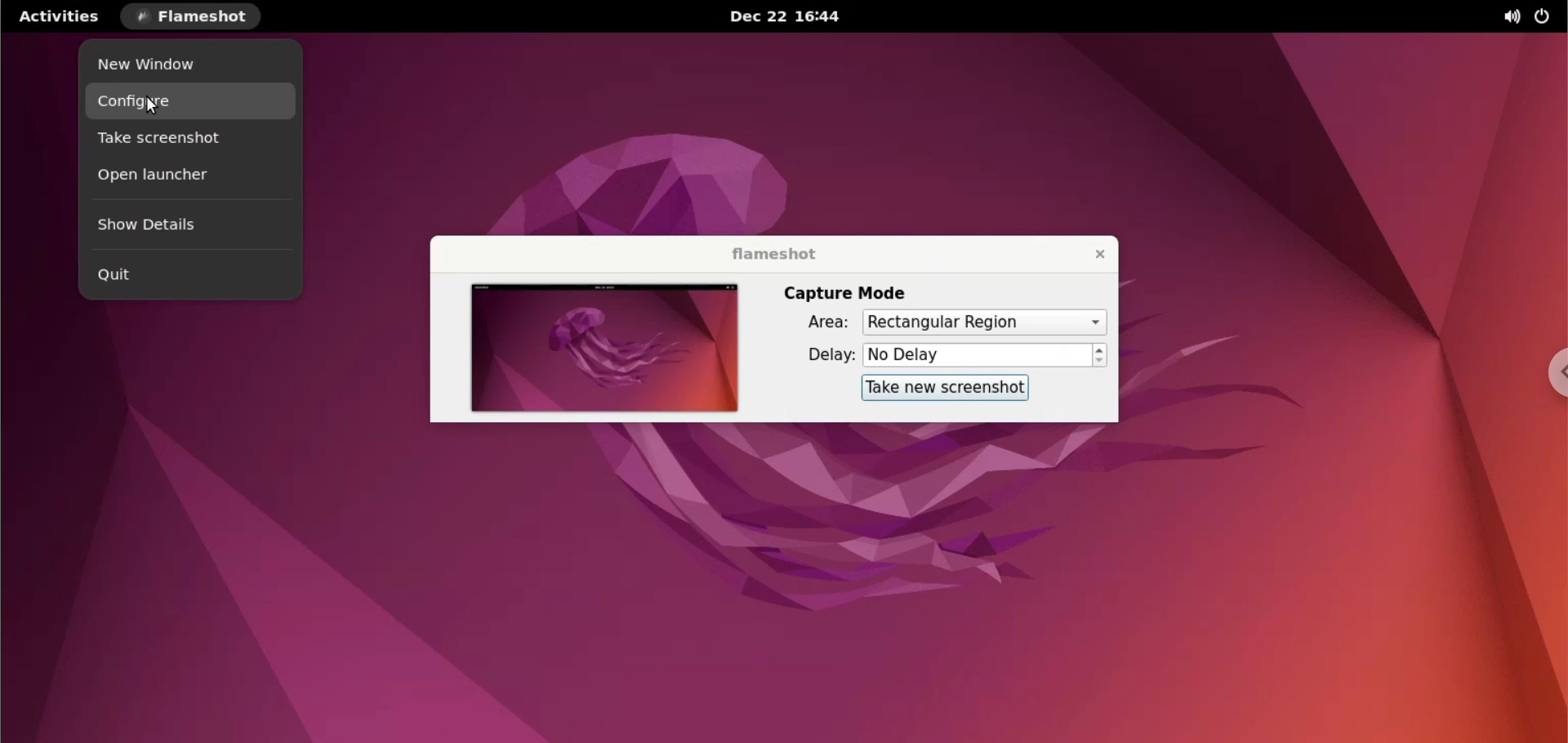 The image size is (1568, 743). I want to click on new window, so click(180, 63).